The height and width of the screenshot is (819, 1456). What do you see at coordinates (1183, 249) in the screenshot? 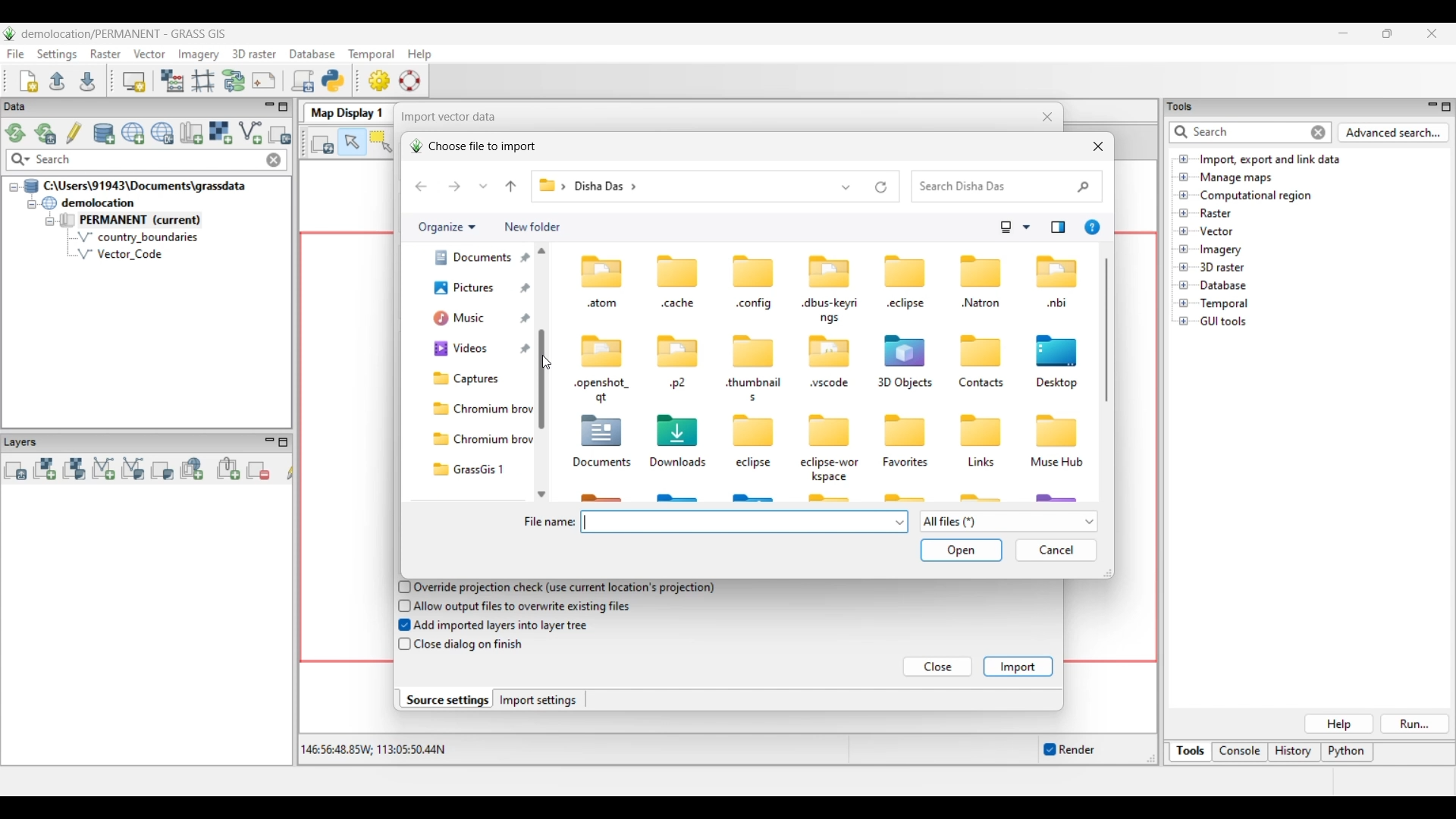
I see `Click to open files under Imagery` at bounding box center [1183, 249].